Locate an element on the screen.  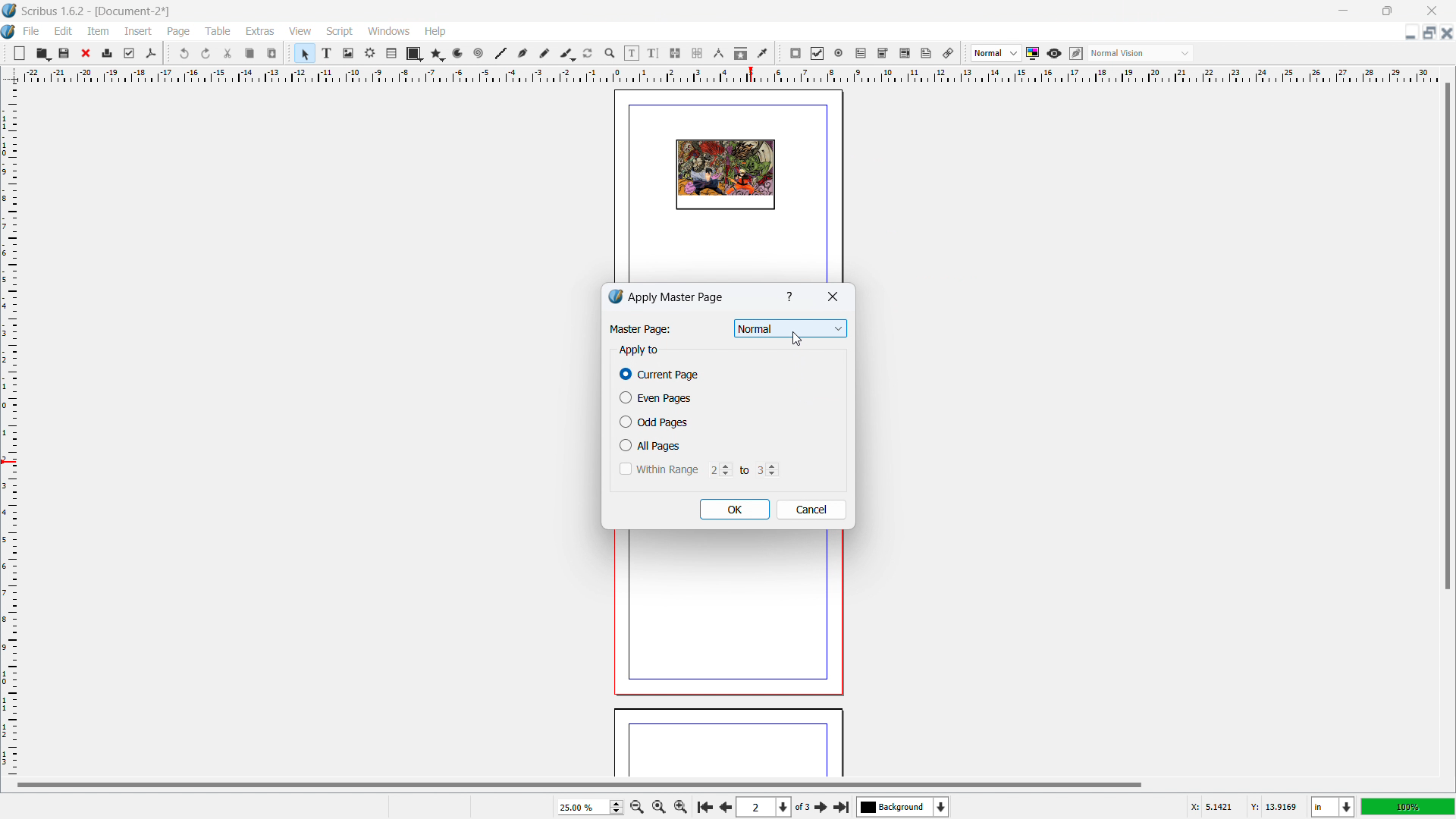
select item is located at coordinates (305, 54).